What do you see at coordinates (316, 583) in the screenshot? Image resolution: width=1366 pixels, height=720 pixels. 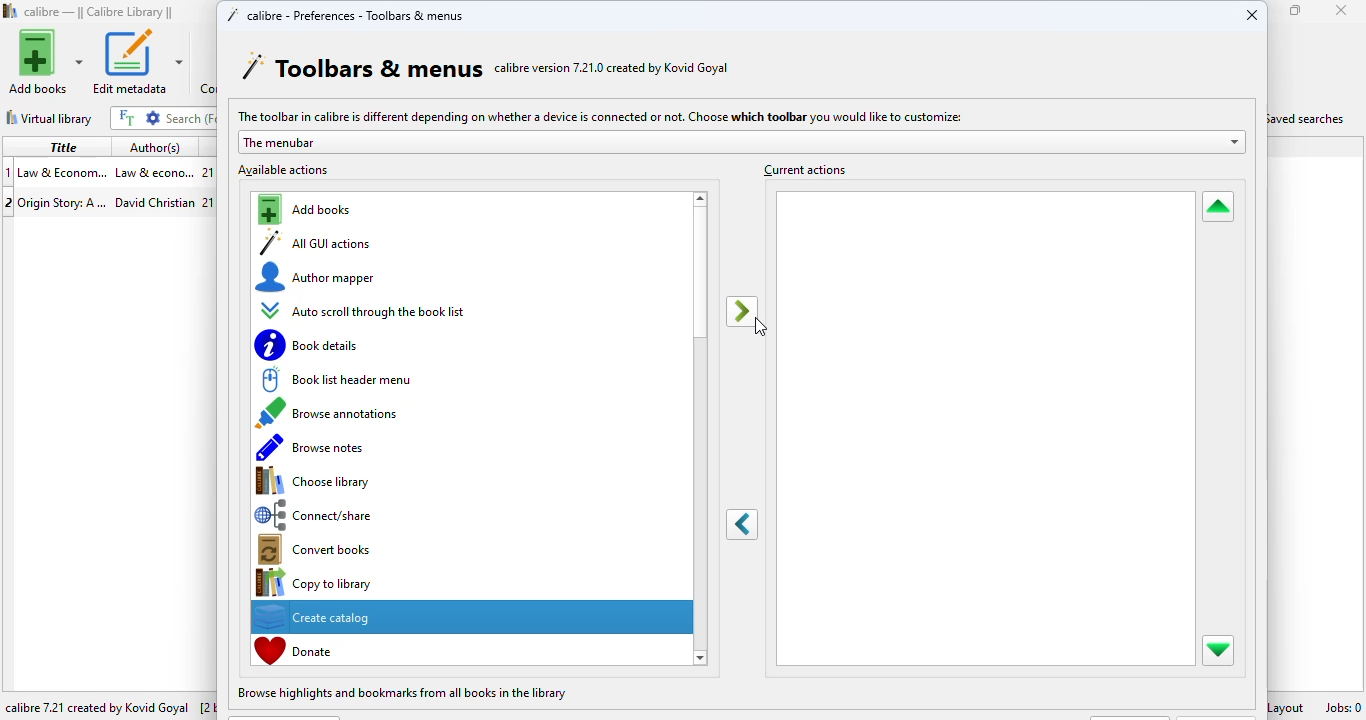 I see `copy to library` at bounding box center [316, 583].